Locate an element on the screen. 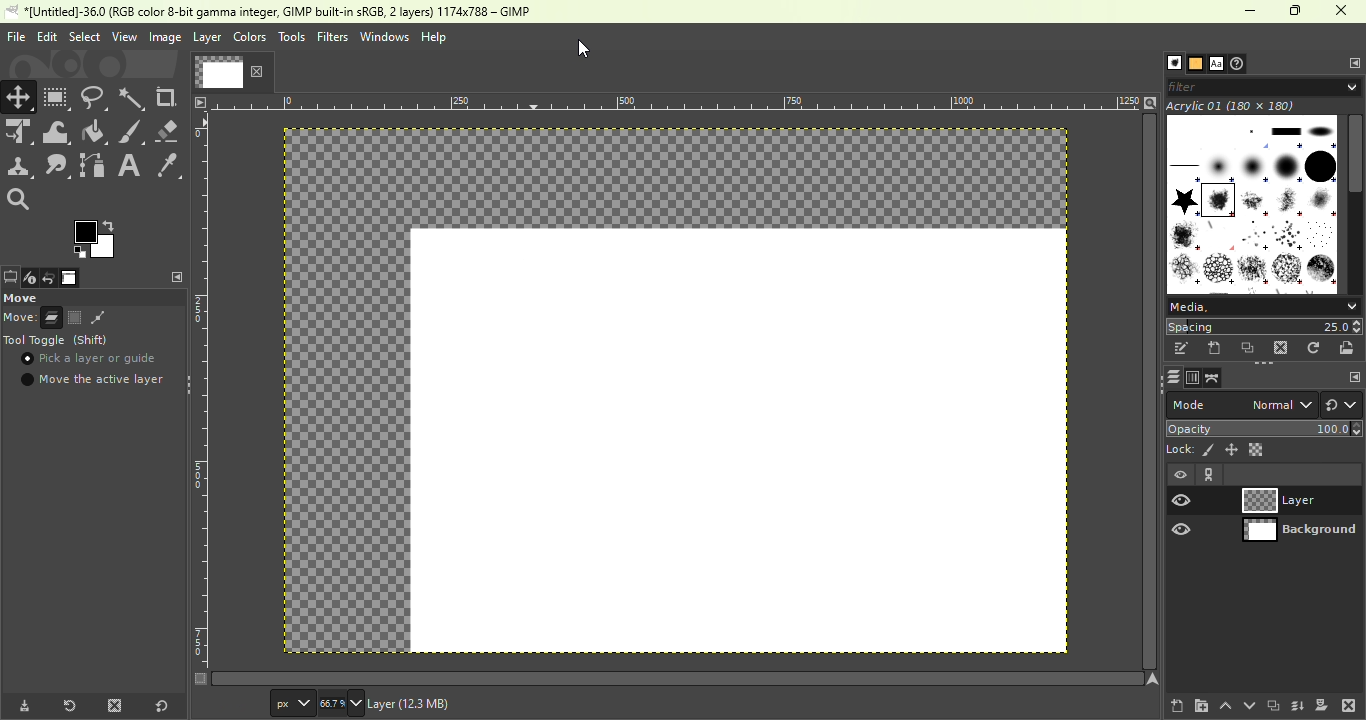 Image resolution: width=1366 pixels, height=720 pixels. Brushes is located at coordinates (1169, 63).